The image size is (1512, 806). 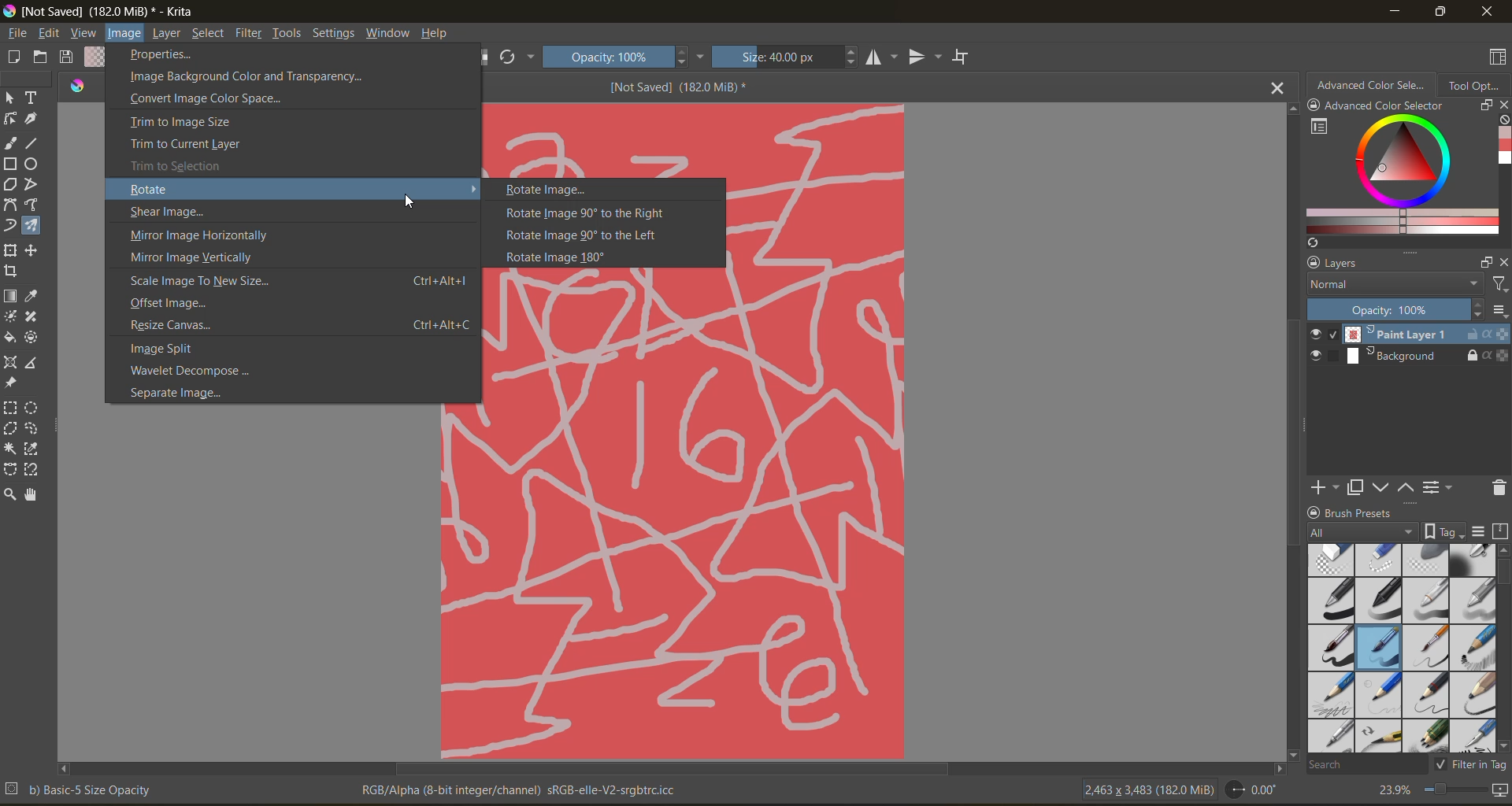 I want to click on trim to selection, so click(x=187, y=164).